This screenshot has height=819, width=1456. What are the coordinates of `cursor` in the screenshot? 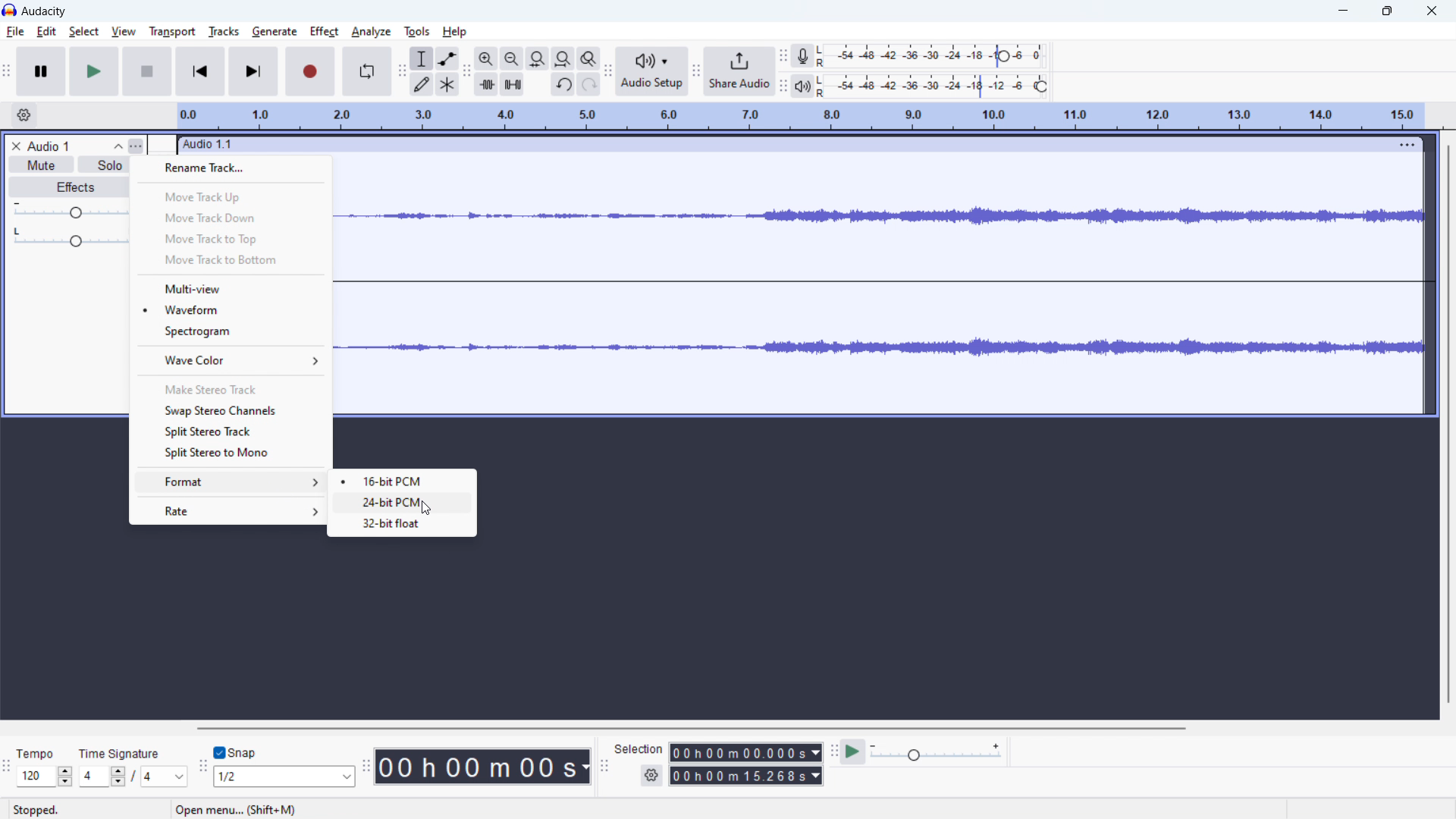 It's located at (427, 507).